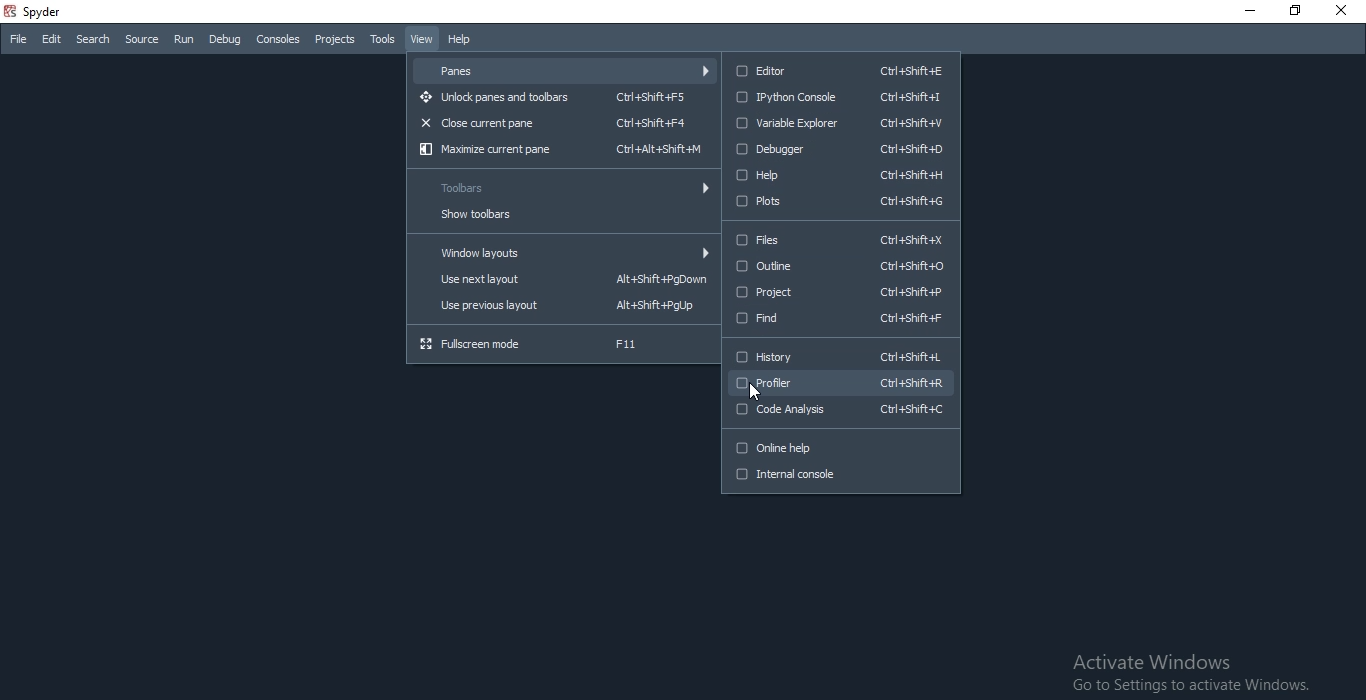  Describe the element at coordinates (62, 13) in the screenshot. I see `spyder` at that location.